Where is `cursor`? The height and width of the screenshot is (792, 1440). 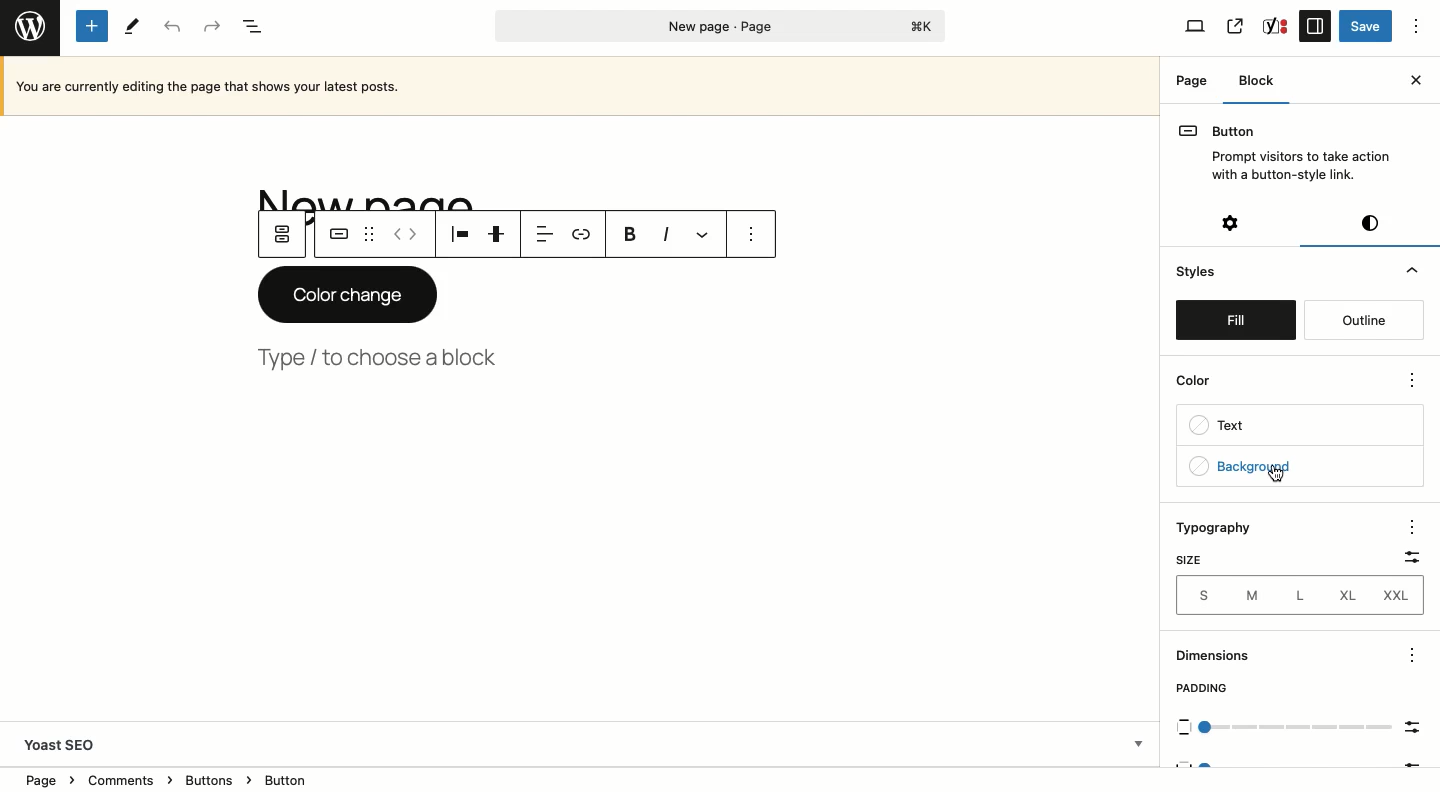 cursor is located at coordinates (1277, 475).